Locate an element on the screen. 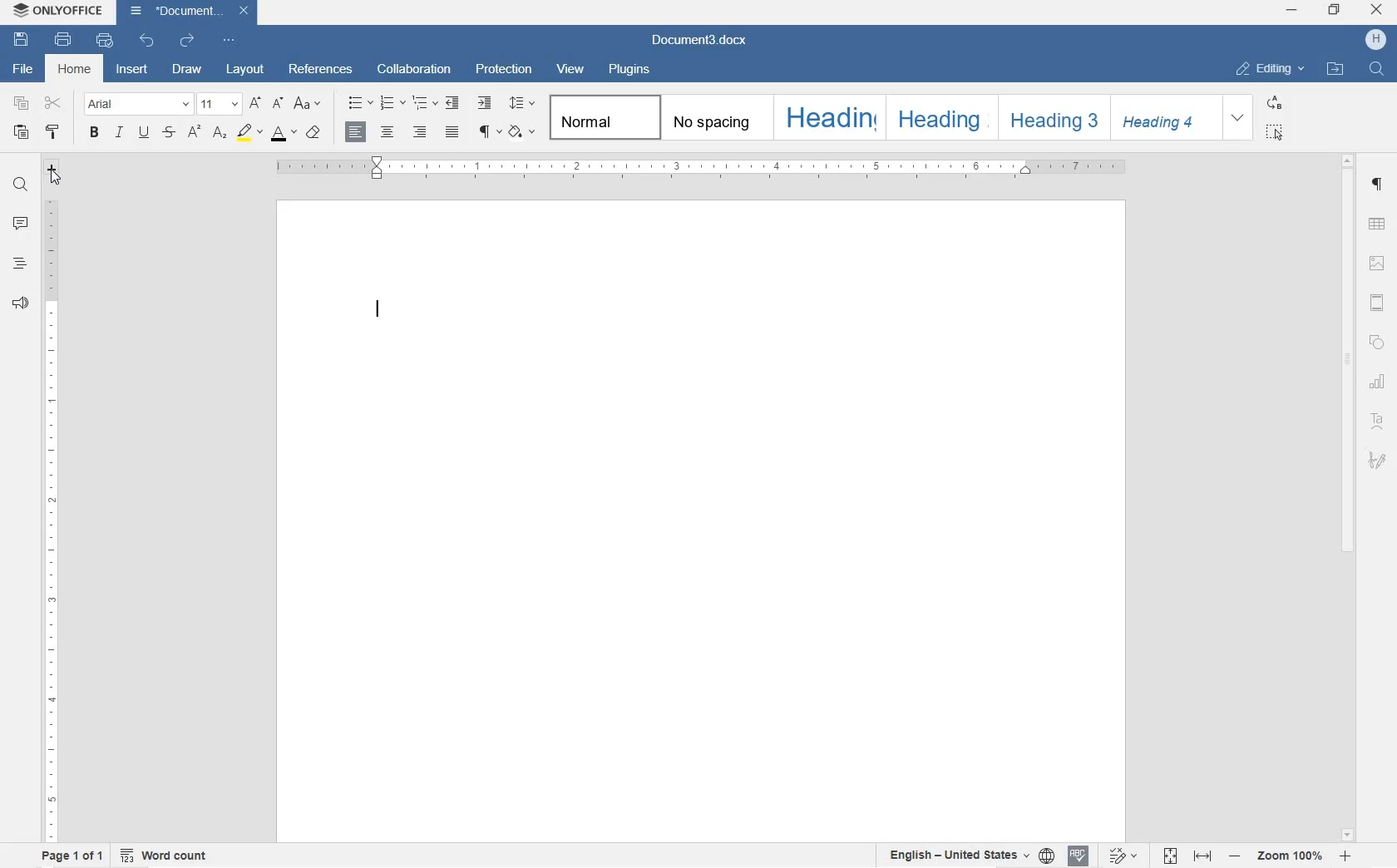 Image resolution: width=1397 pixels, height=868 pixels. FILE NAME is located at coordinates (192, 12).